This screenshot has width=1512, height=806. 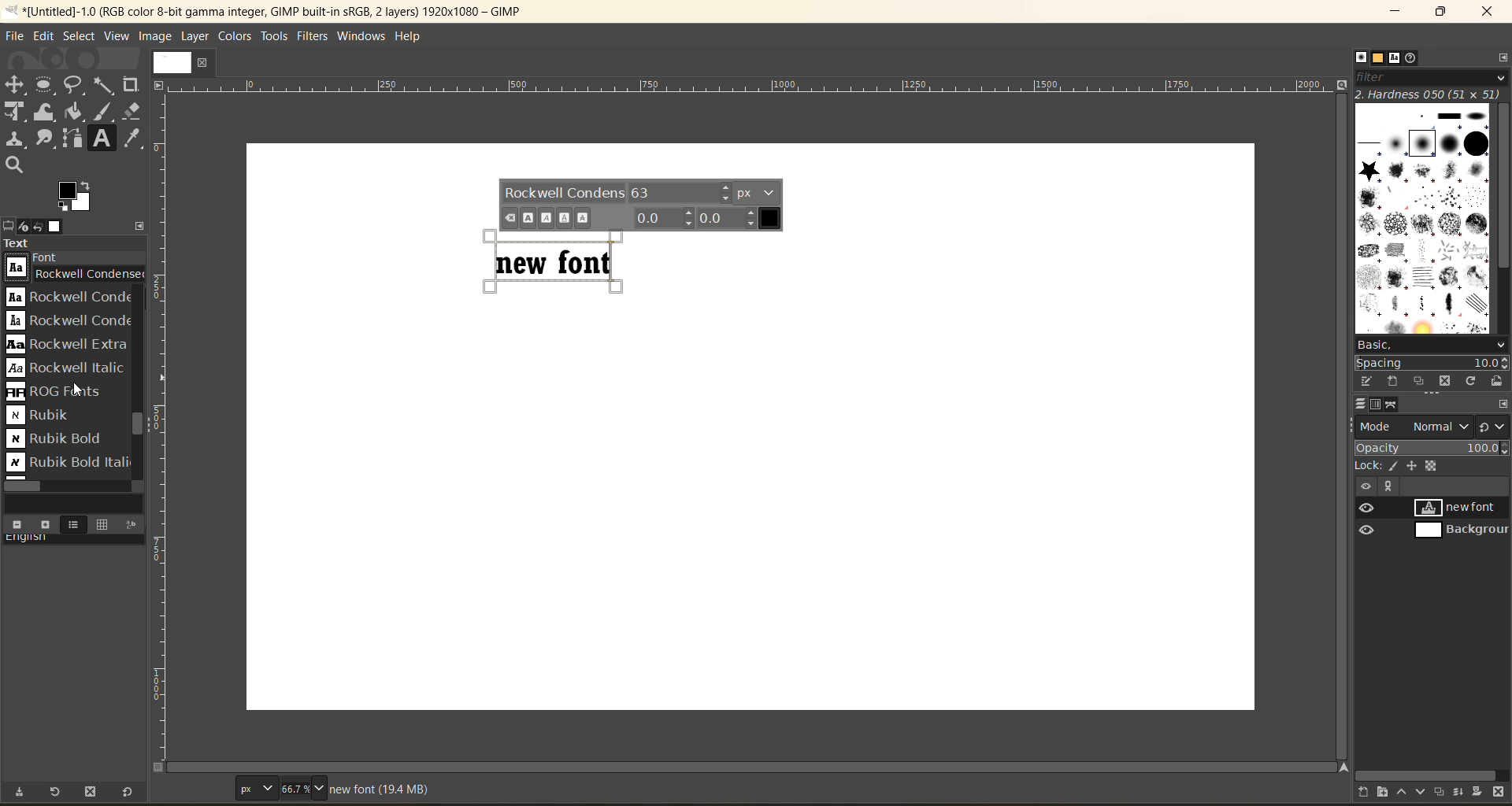 I want to click on create a duplicate layer, so click(x=1444, y=791).